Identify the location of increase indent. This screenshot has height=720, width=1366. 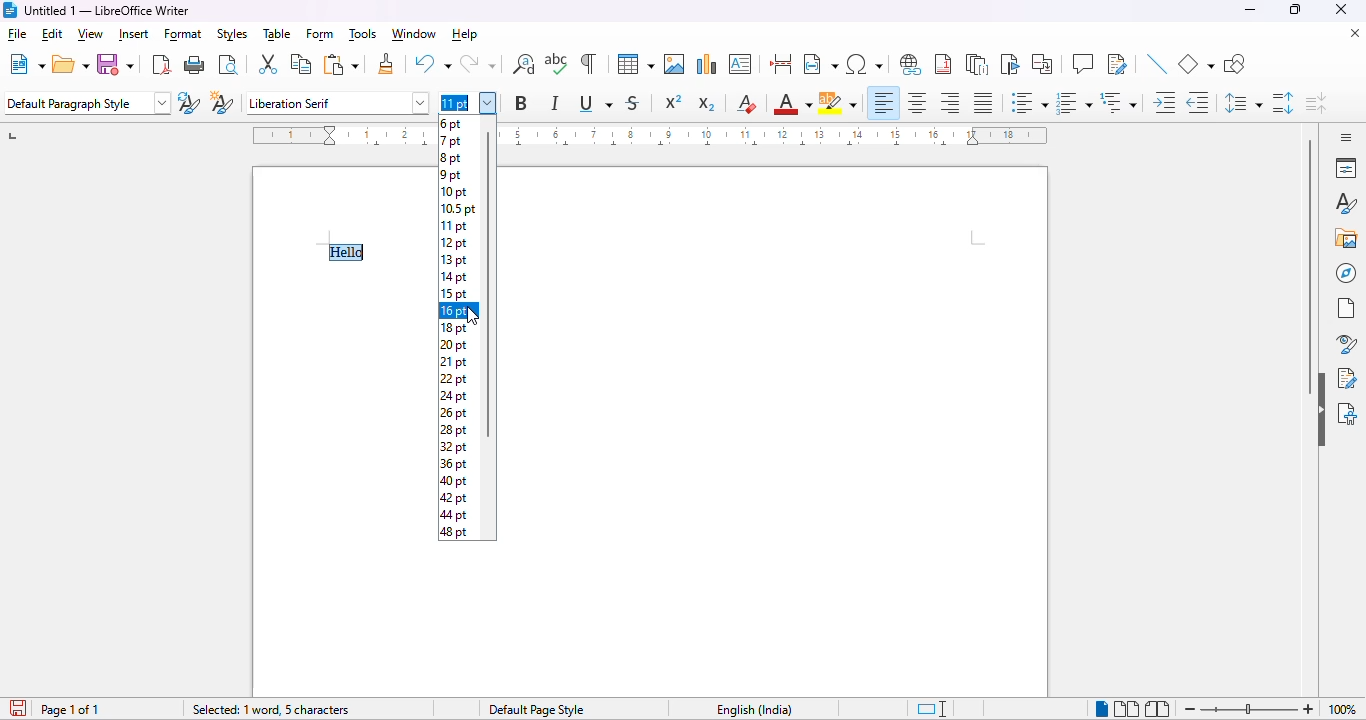
(1165, 103).